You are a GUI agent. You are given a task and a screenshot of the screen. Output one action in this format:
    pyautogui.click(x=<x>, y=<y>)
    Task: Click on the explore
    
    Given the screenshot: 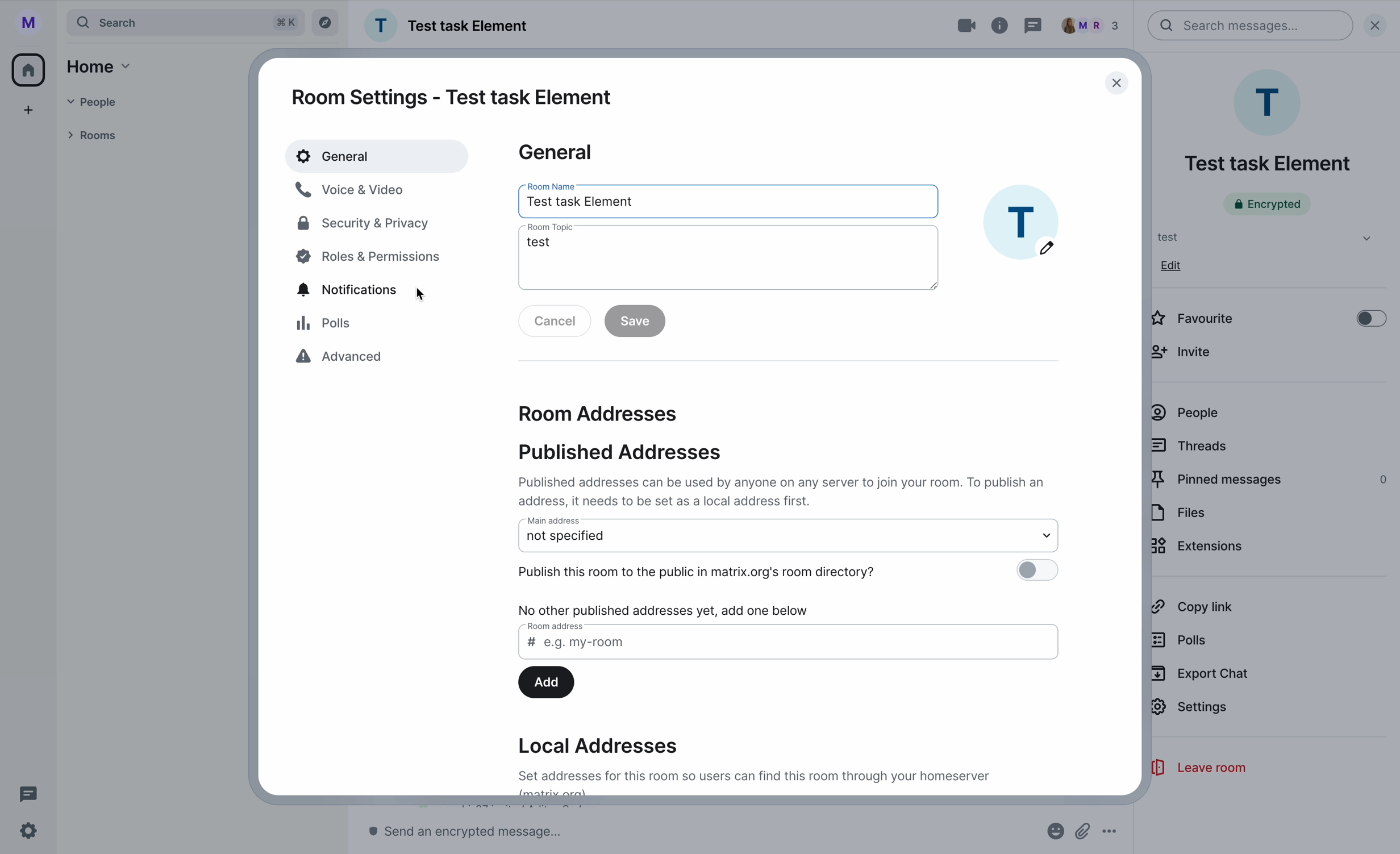 What is the action you would take?
    pyautogui.click(x=326, y=23)
    